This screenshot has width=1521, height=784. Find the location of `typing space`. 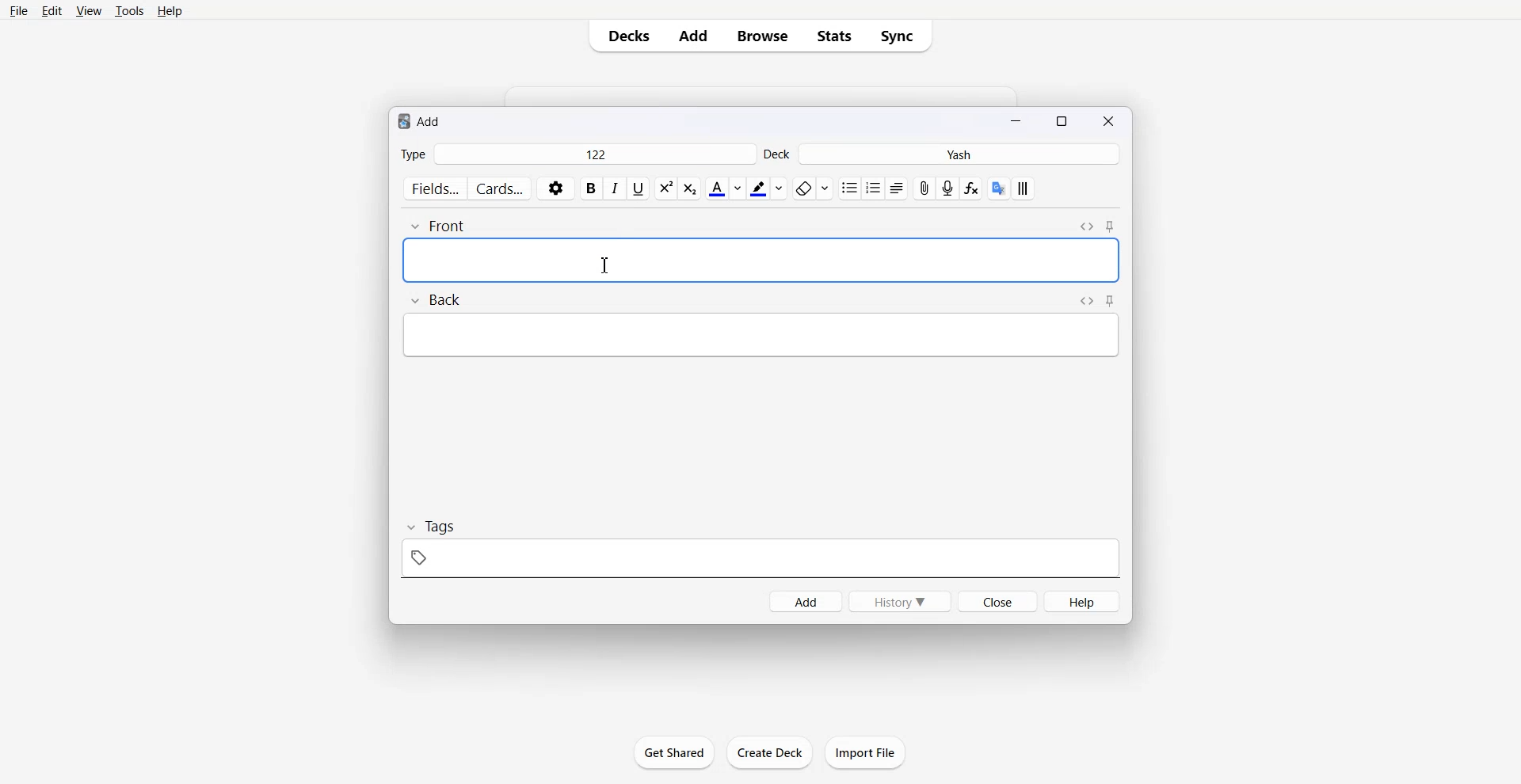

typing space is located at coordinates (760, 260).